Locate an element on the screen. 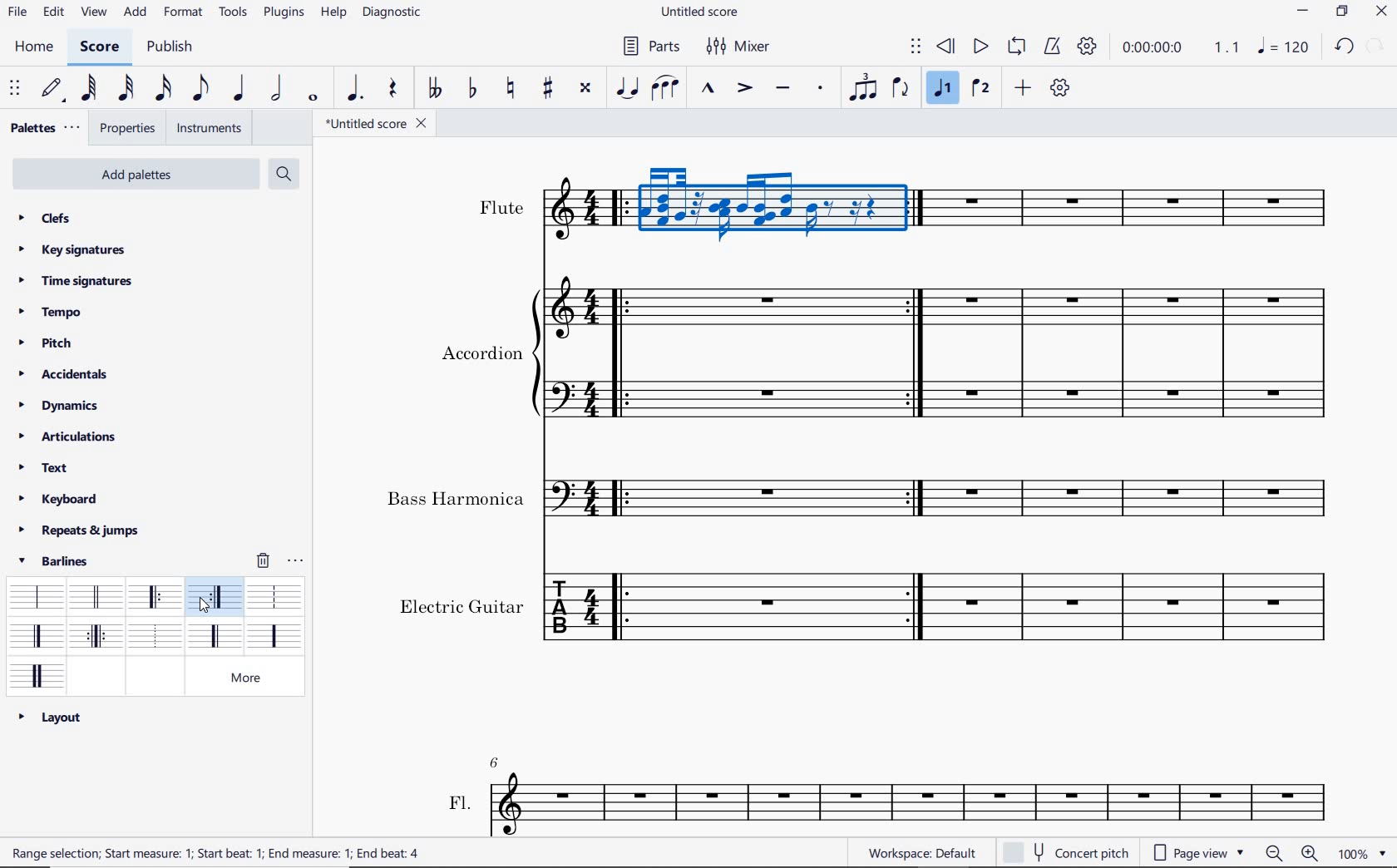 The image size is (1397, 868). properties is located at coordinates (129, 130).